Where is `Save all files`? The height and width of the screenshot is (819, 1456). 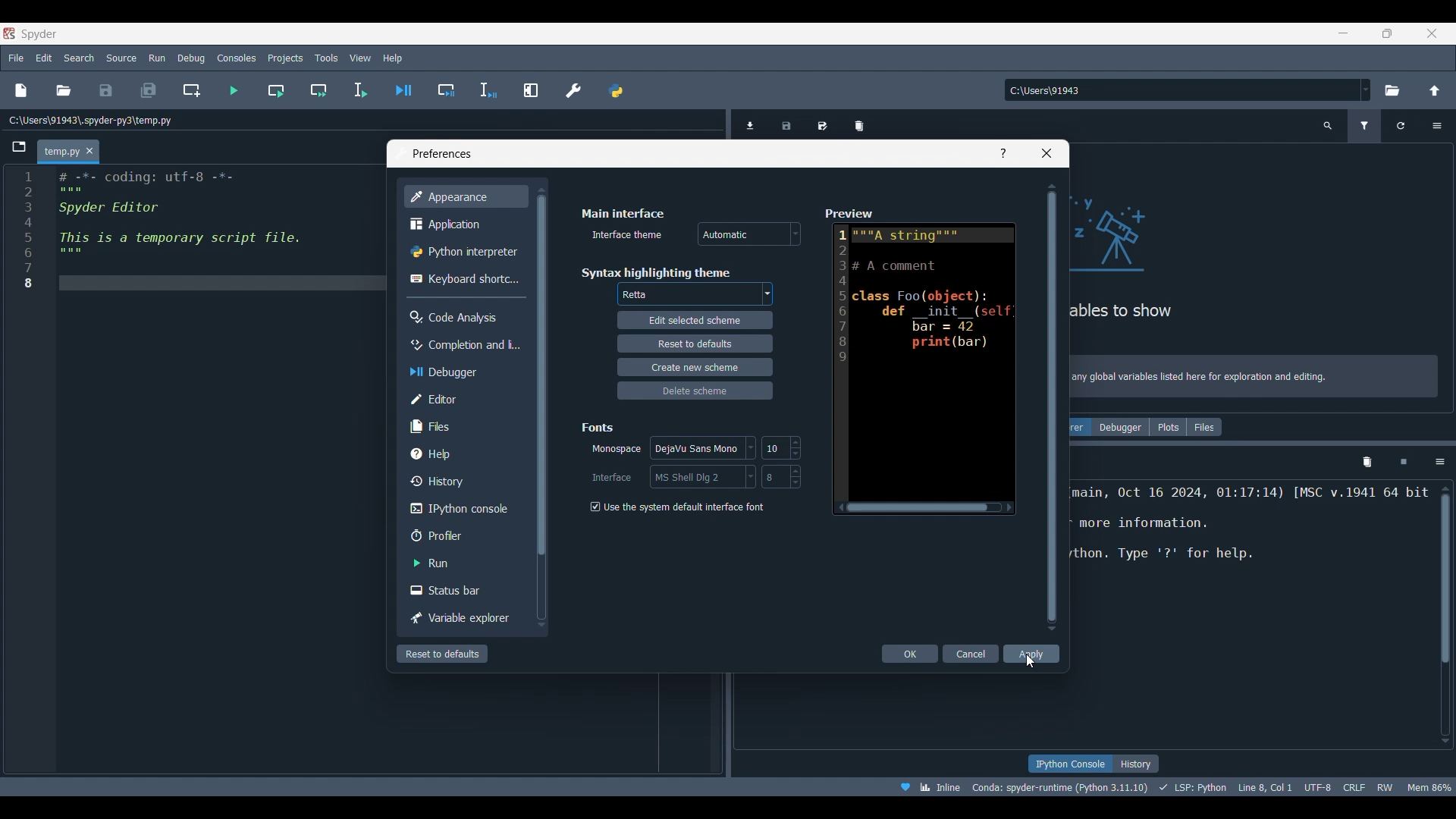 Save all files is located at coordinates (148, 90).